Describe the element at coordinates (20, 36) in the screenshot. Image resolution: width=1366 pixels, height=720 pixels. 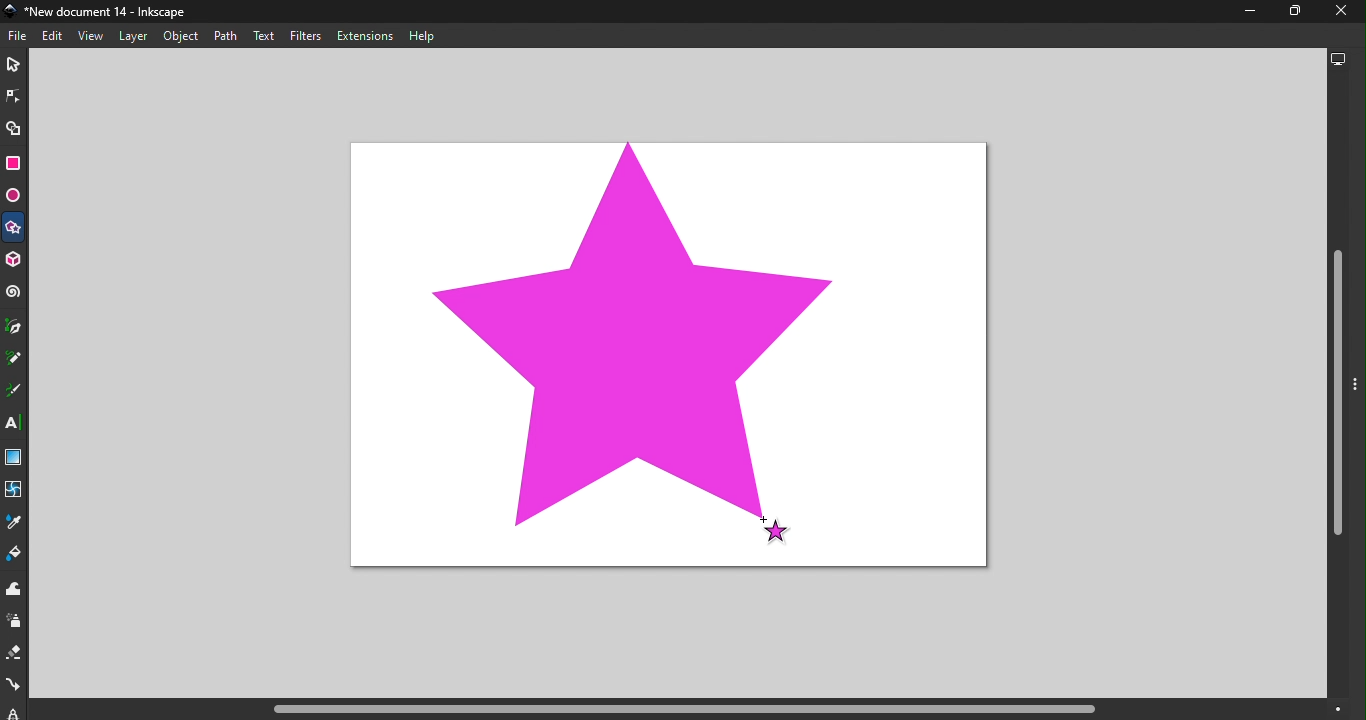
I see `File` at that location.